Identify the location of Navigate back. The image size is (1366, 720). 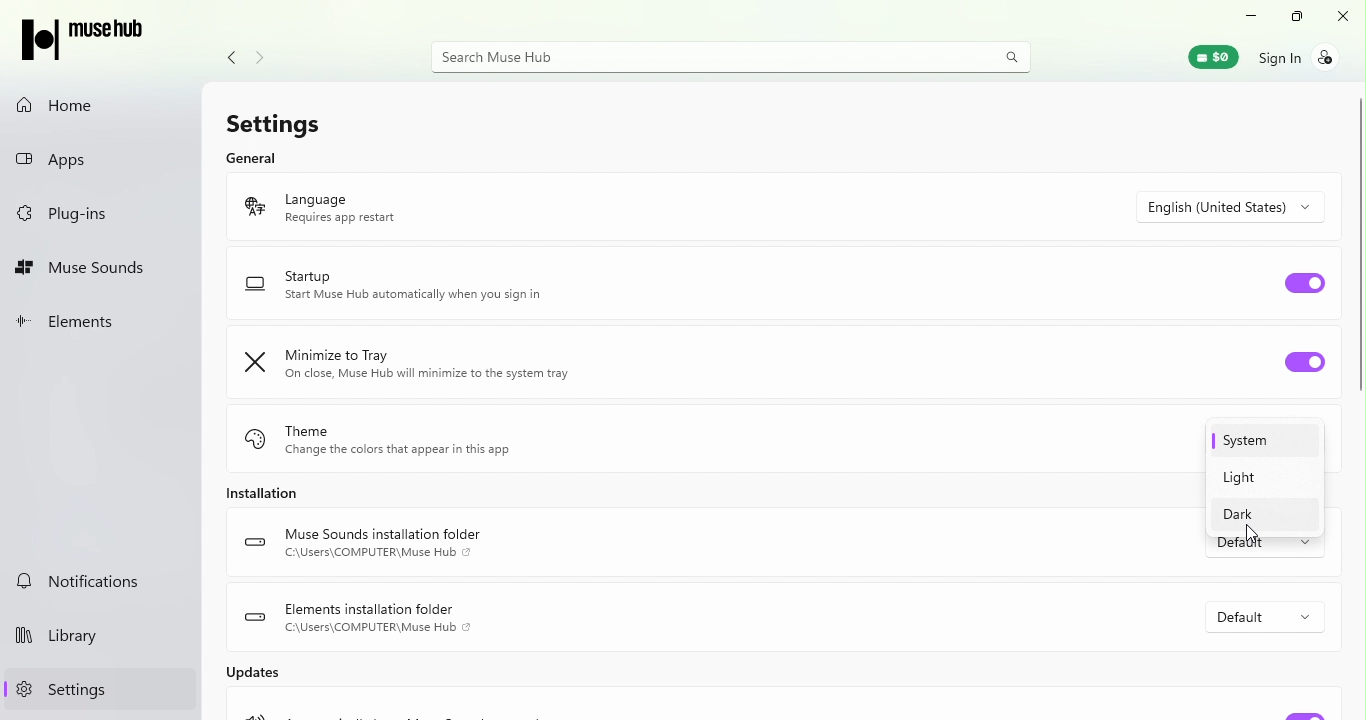
(226, 57).